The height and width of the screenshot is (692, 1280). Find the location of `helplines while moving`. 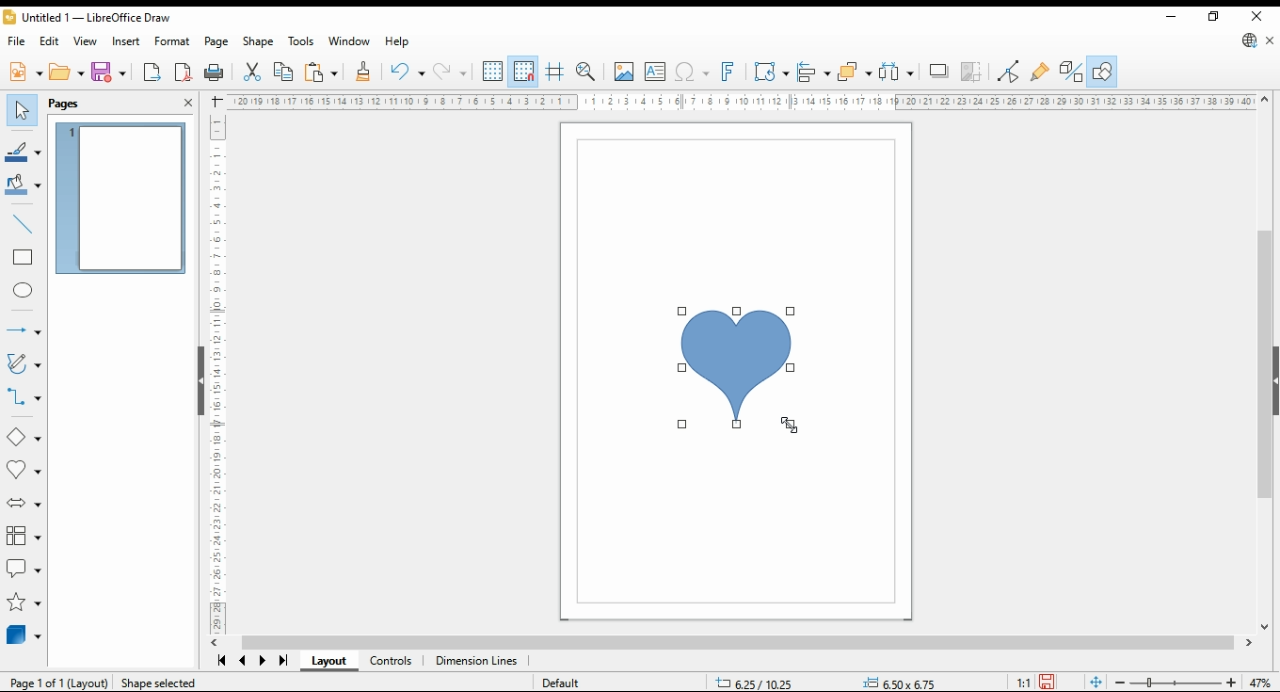

helplines while moving is located at coordinates (556, 72).